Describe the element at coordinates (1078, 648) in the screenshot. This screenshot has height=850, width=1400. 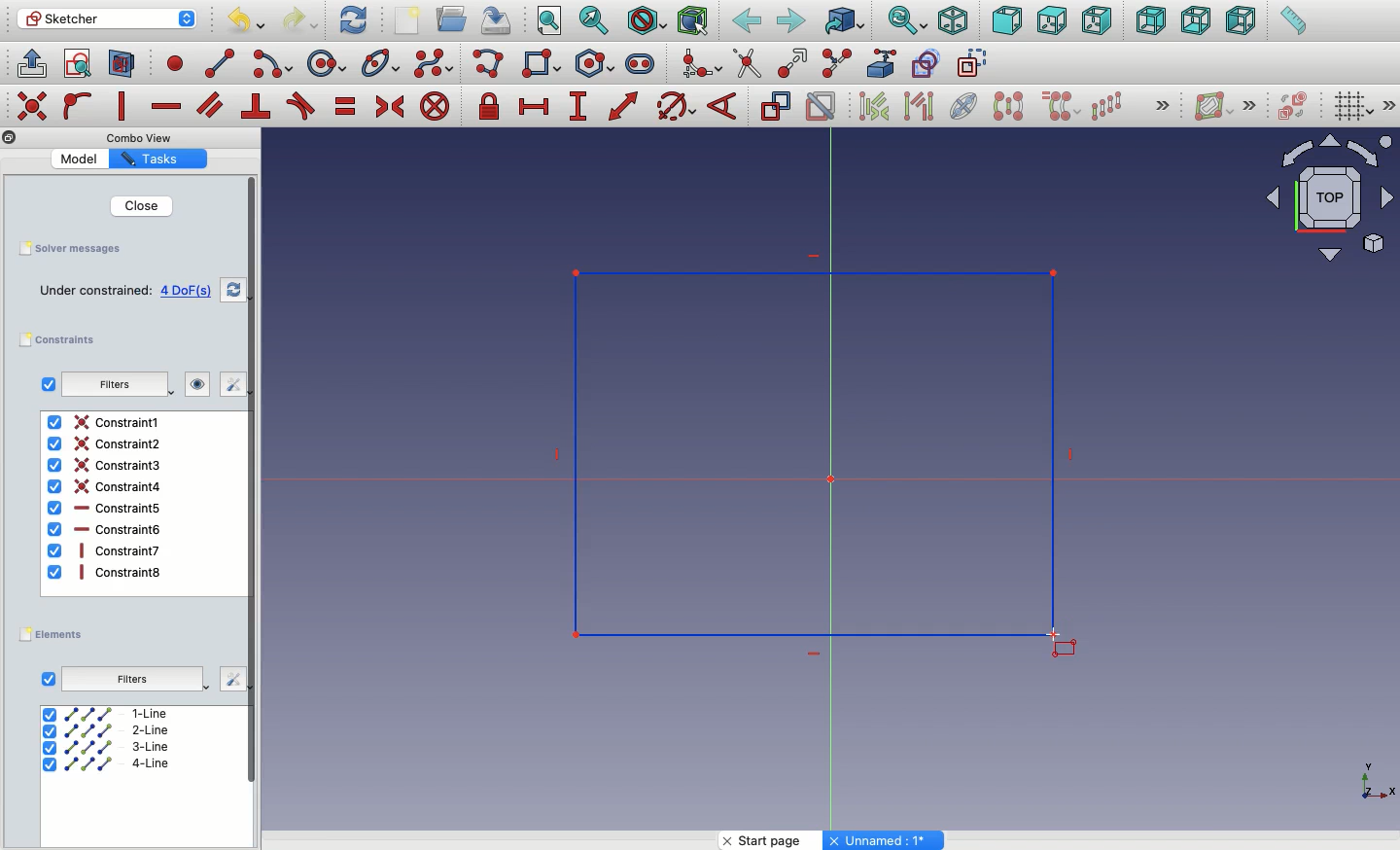
I see `Cursor` at that location.